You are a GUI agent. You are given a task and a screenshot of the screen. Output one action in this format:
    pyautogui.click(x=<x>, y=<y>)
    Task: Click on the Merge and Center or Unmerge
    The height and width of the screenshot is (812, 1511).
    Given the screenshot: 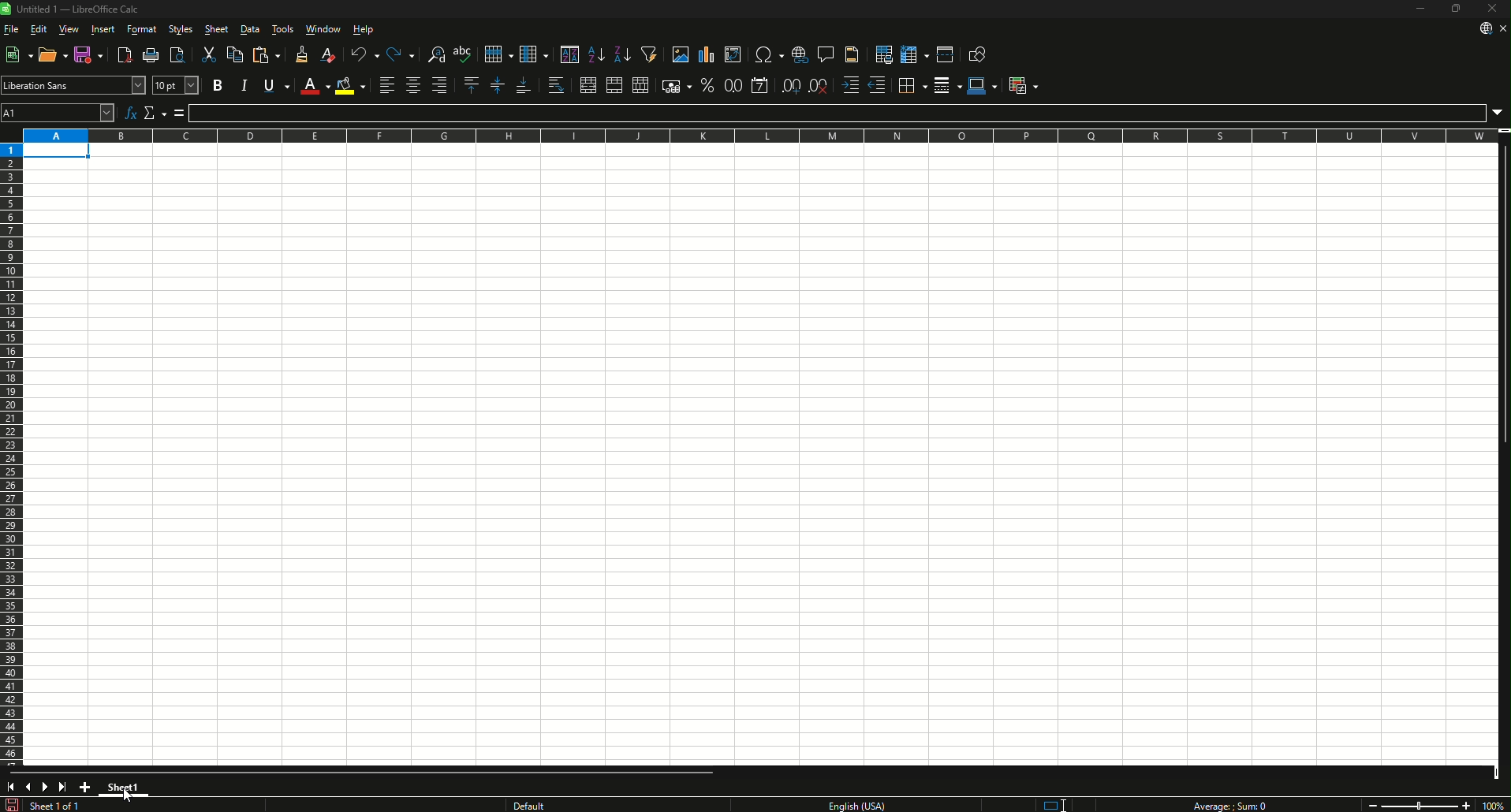 What is the action you would take?
    pyautogui.click(x=588, y=85)
    